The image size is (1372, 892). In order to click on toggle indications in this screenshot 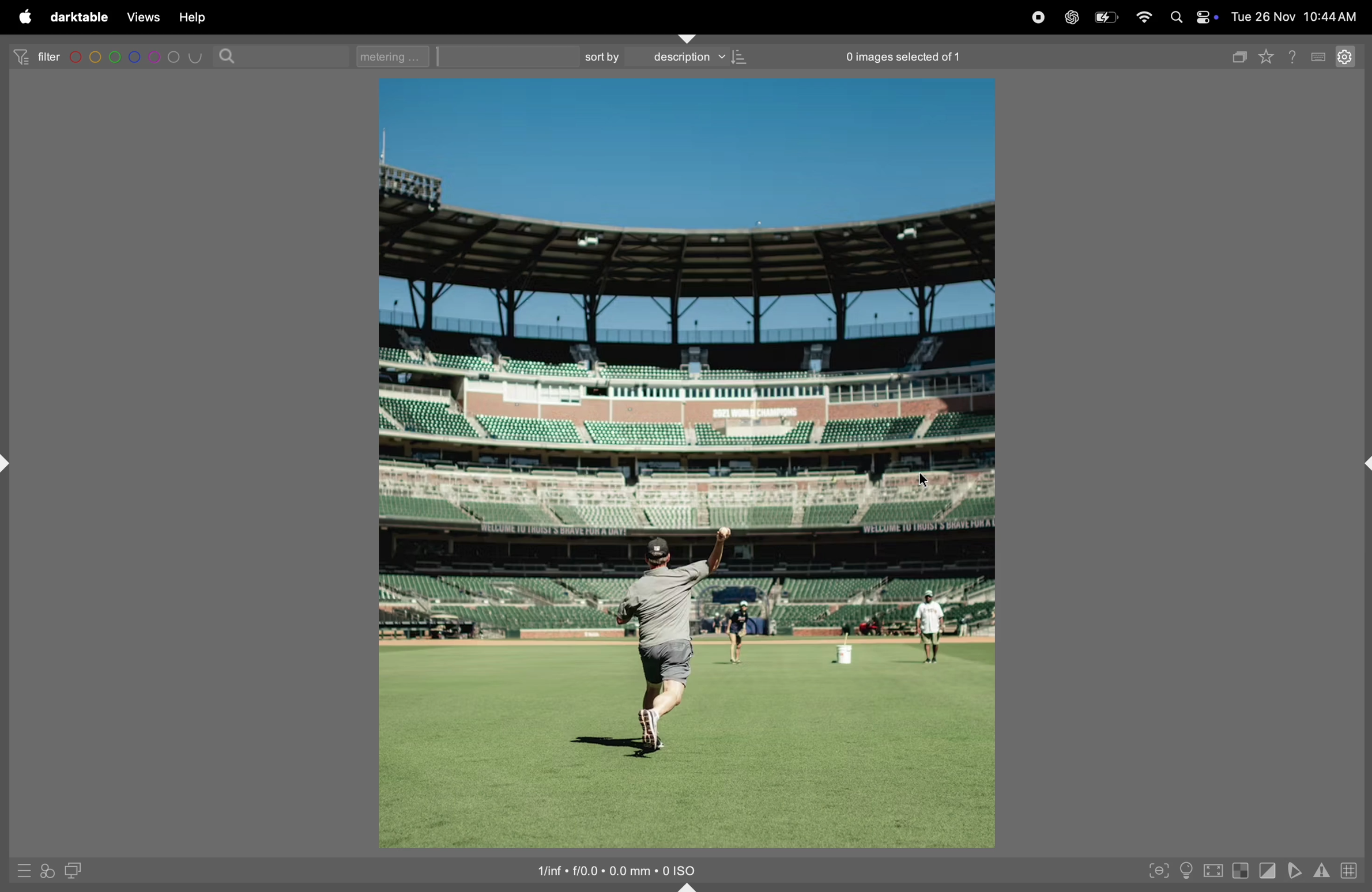, I will do `click(1242, 869)`.